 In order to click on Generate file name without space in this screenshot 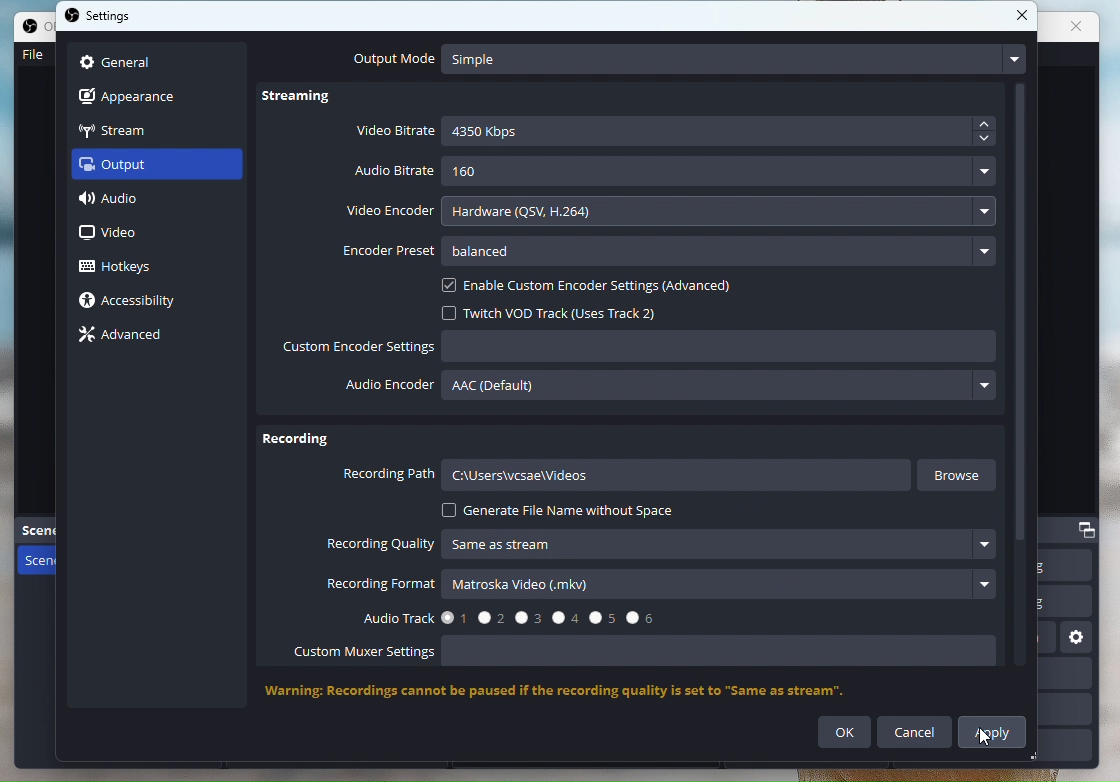, I will do `click(560, 511)`.